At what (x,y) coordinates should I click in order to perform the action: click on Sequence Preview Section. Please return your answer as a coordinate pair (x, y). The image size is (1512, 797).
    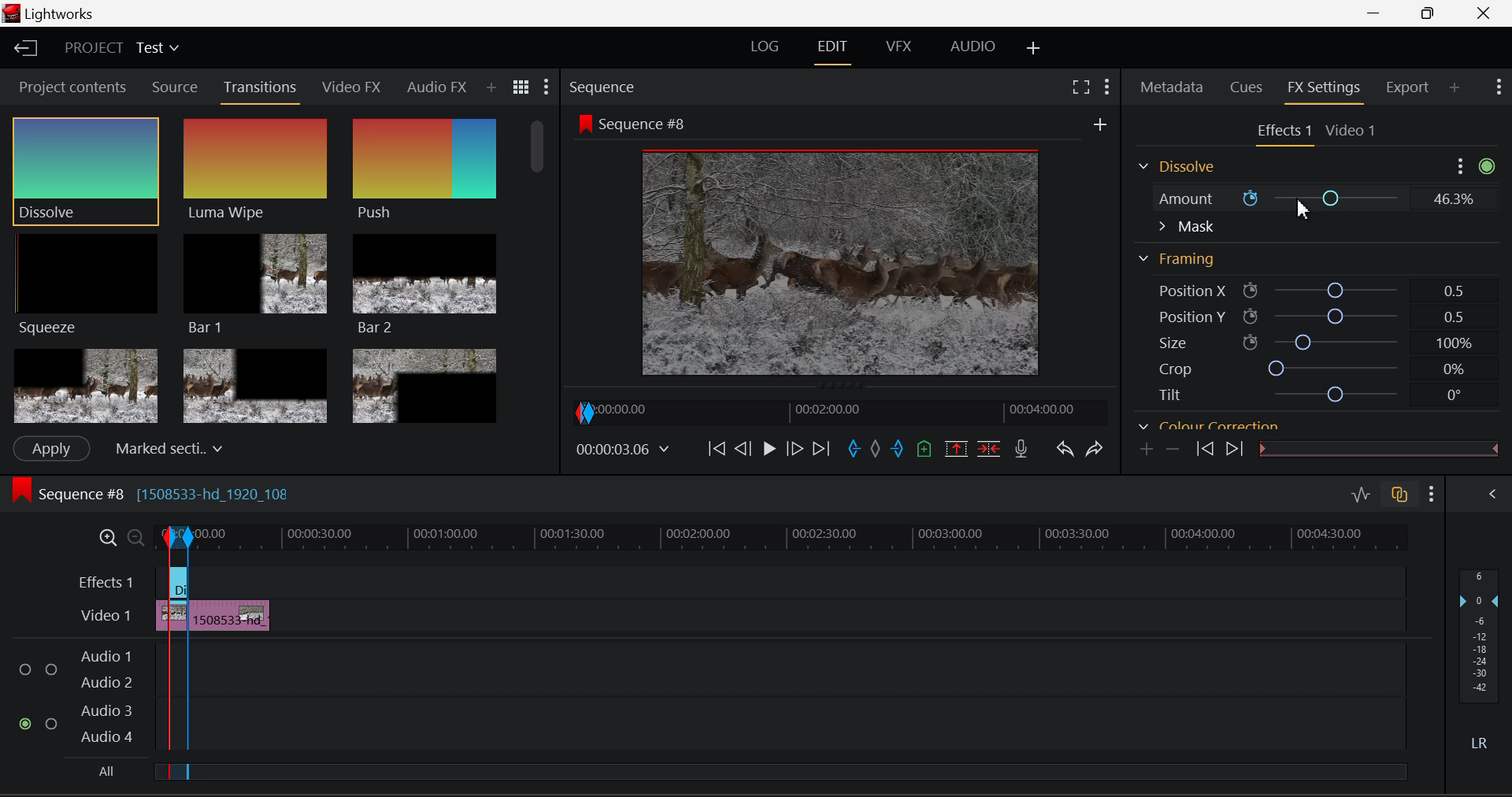
    Looking at the image, I should click on (605, 87).